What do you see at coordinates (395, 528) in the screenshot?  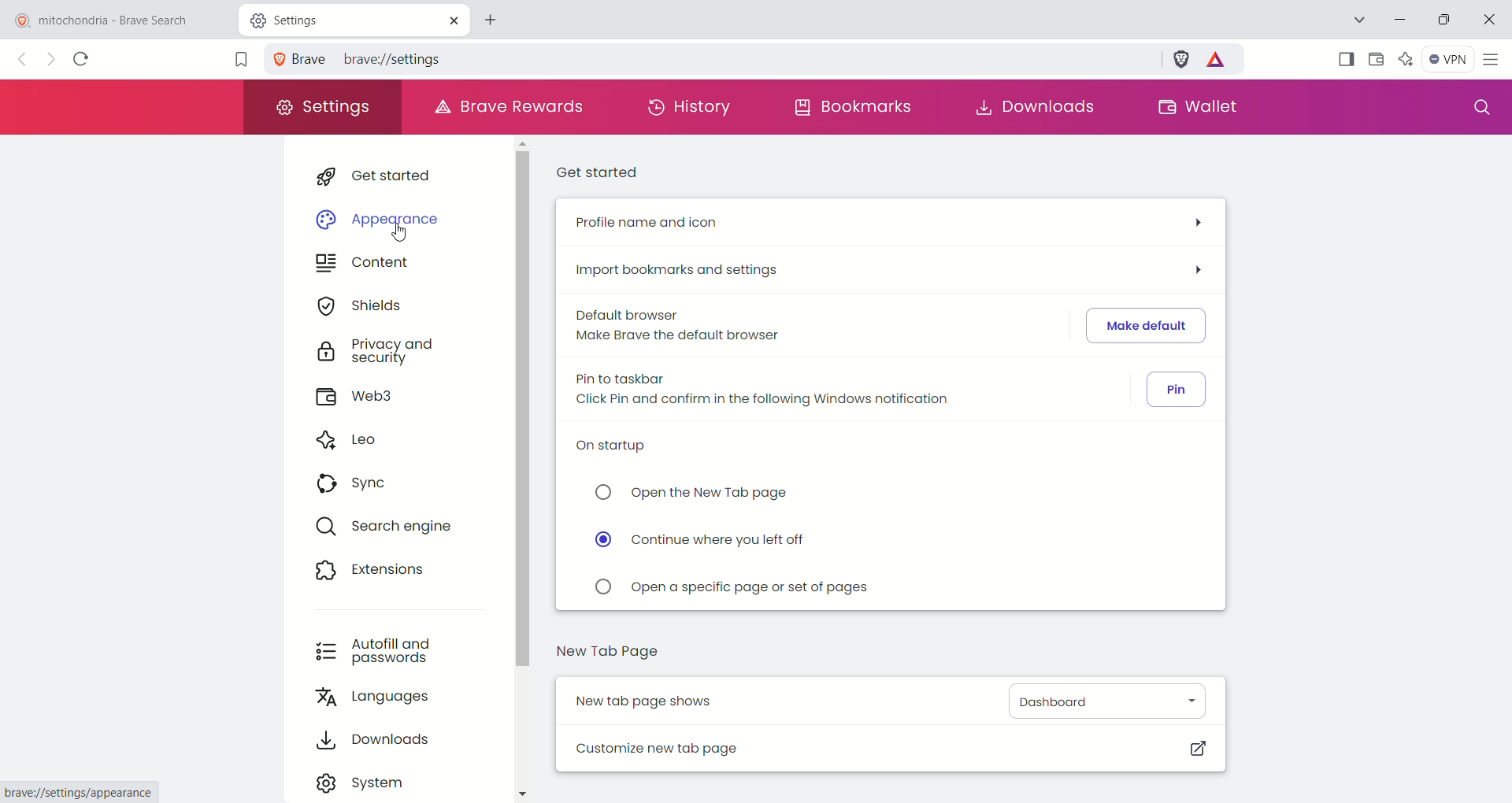 I see `search engine` at bounding box center [395, 528].